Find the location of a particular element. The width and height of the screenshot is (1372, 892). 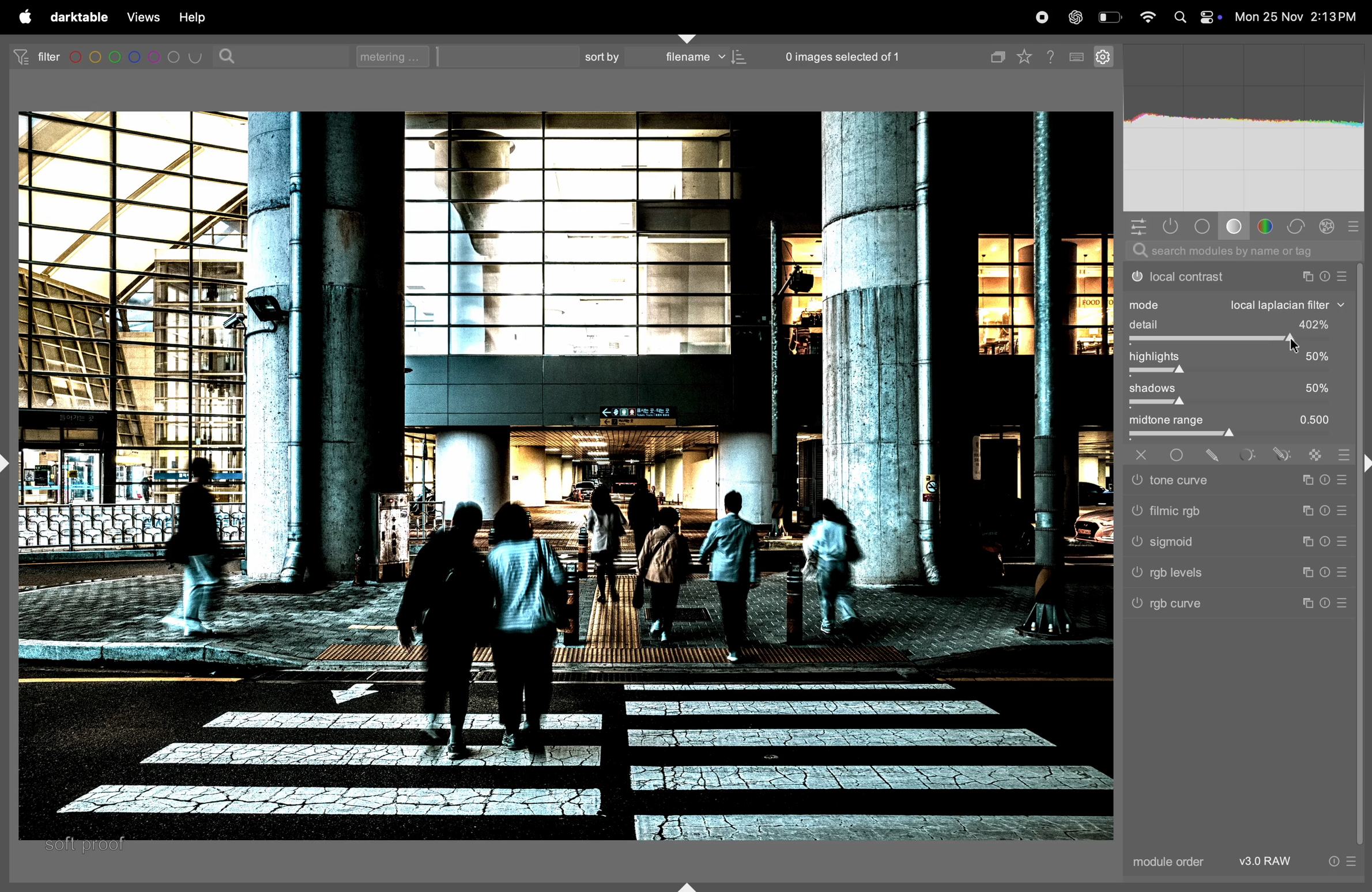

filmic rgb is located at coordinates (1232, 511).